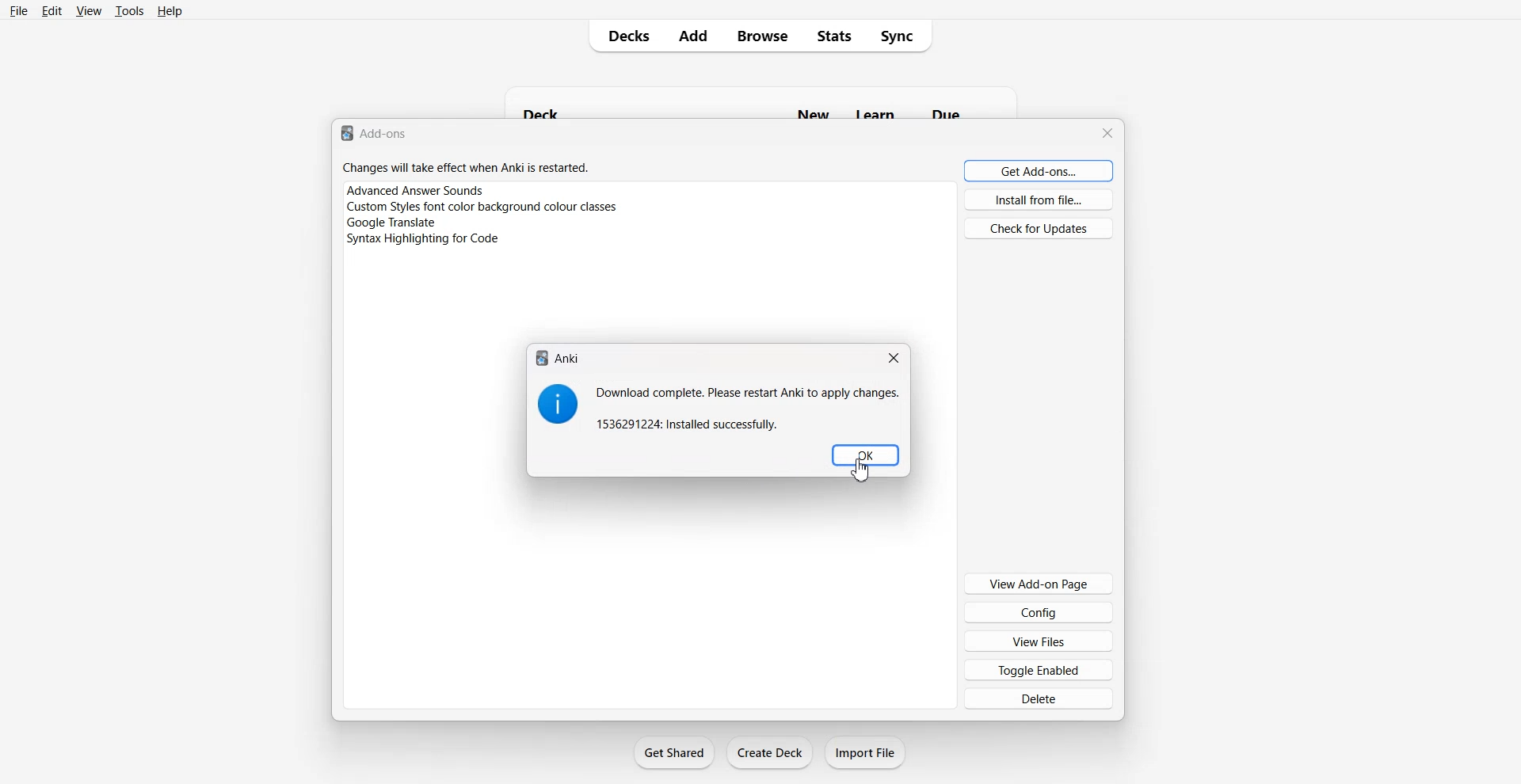  I want to click on View Files, so click(1039, 641).